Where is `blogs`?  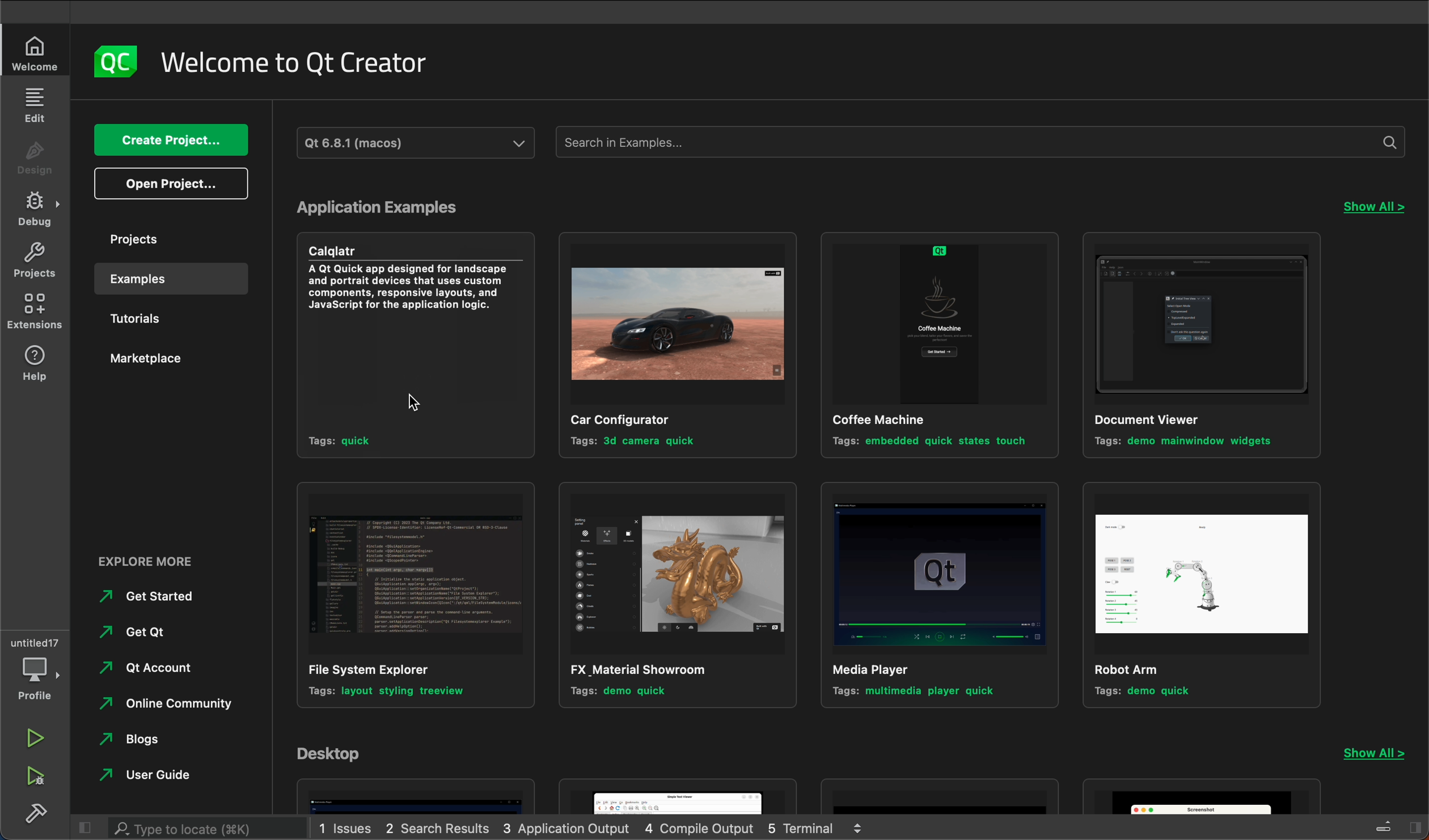 blogs is located at coordinates (146, 740).